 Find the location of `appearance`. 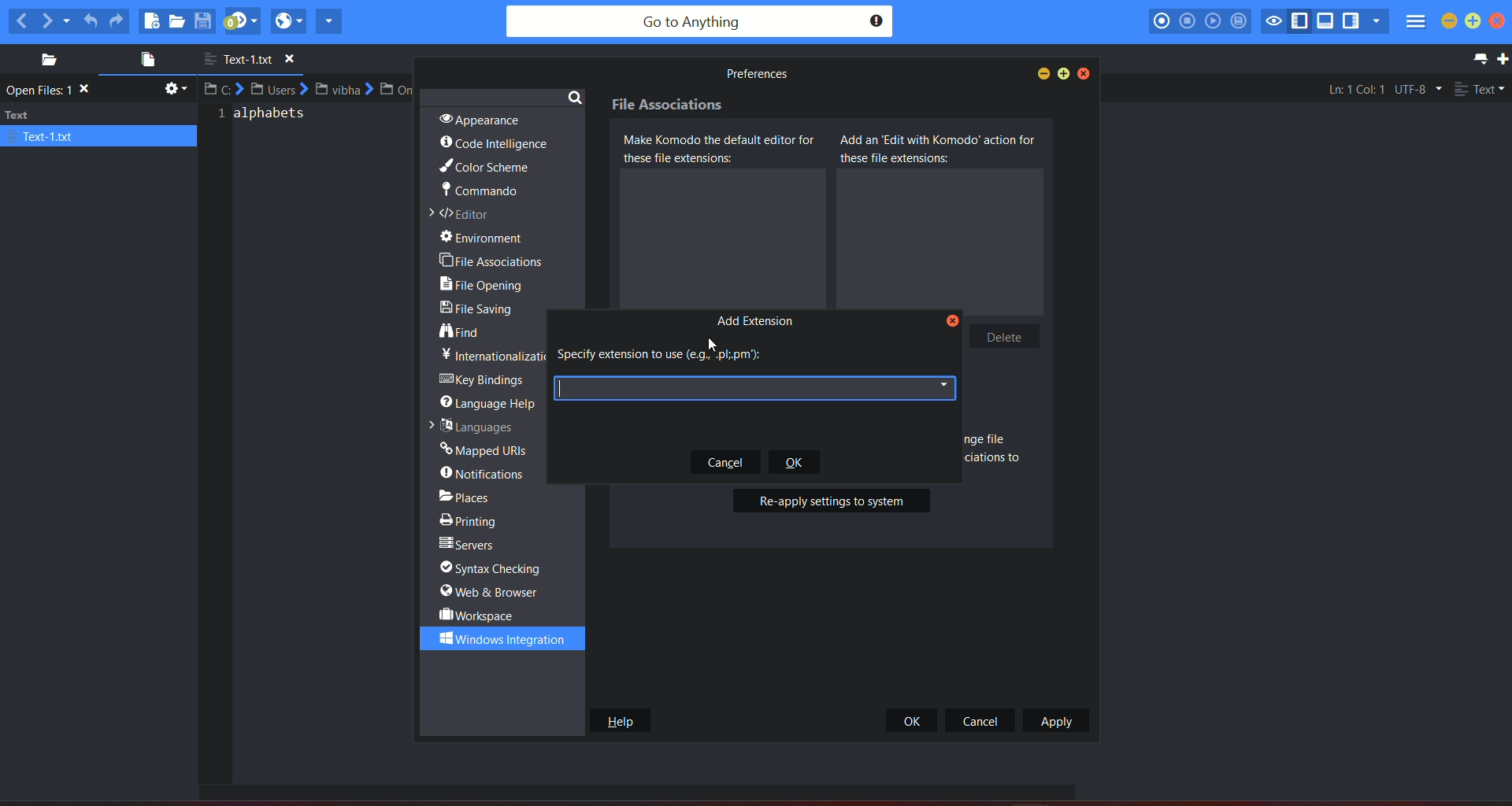

appearance is located at coordinates (476, 118).